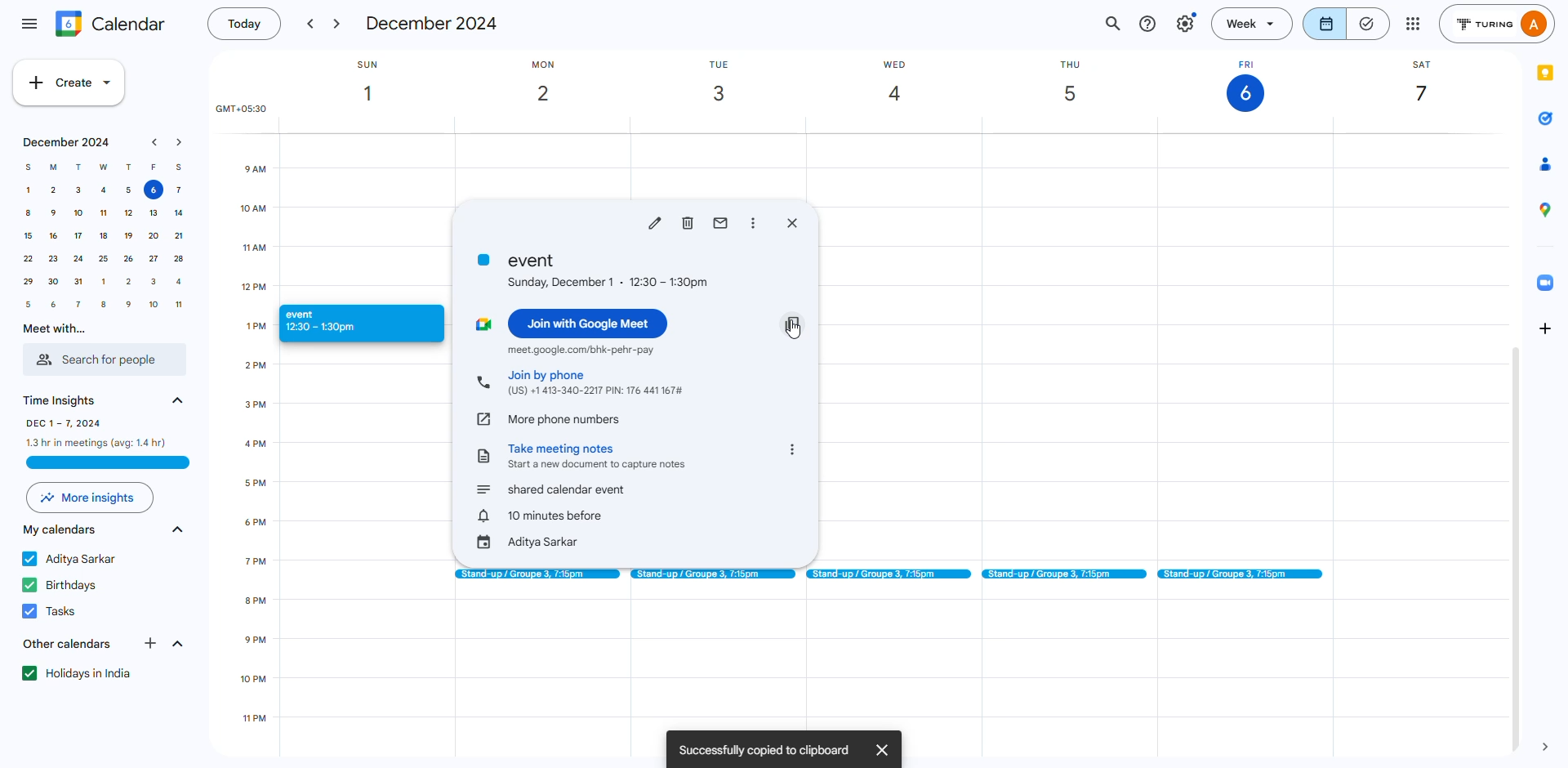 The height and width of the screenshot is (768, 1568). What do you see at coordinates (73, 557) in the screenshot?
I see `name` at bounding box center [73, 557].